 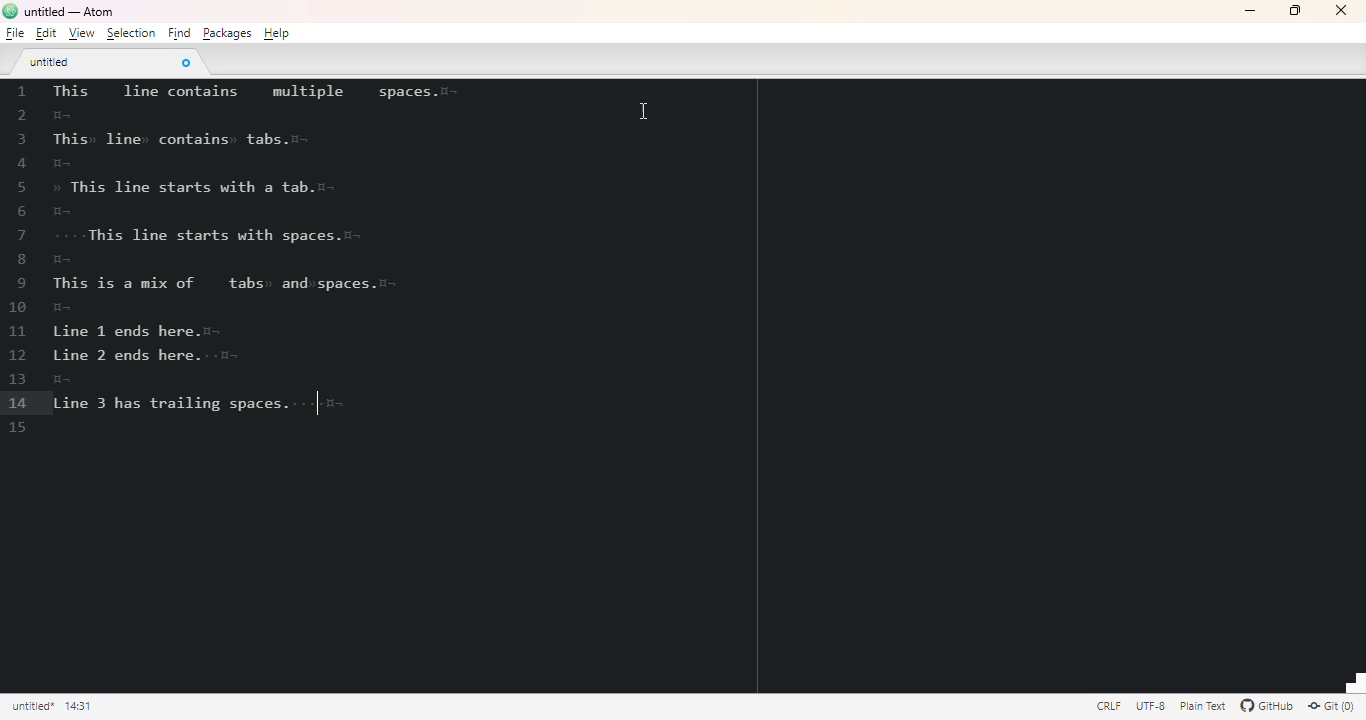 What do you see at coordinates (389, 284) in the screenshot?
I see `invisible characters` at bounding box center [389, 284].